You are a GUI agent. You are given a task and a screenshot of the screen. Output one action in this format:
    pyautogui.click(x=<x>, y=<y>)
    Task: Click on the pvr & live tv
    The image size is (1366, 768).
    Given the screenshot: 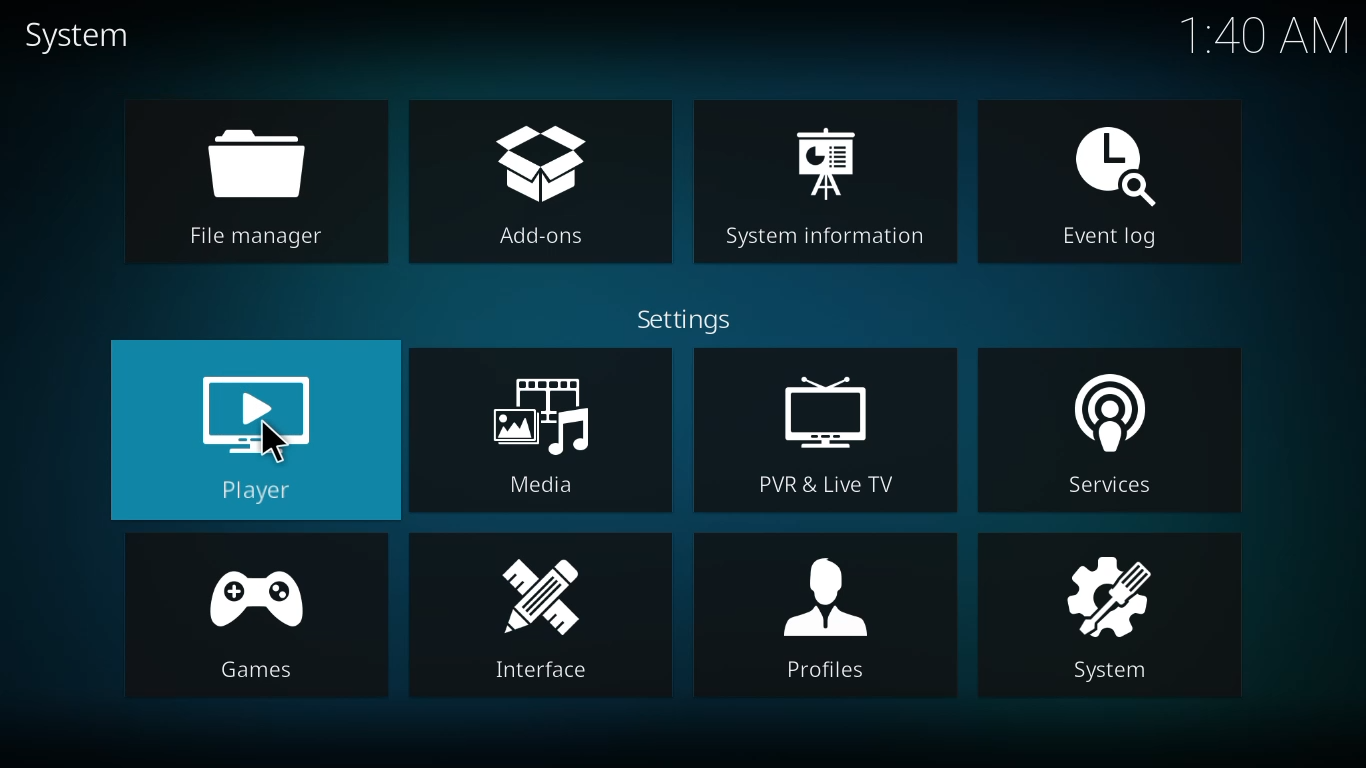 What is the action you would take?
    pyautogui.click(x=825, y=432)
    